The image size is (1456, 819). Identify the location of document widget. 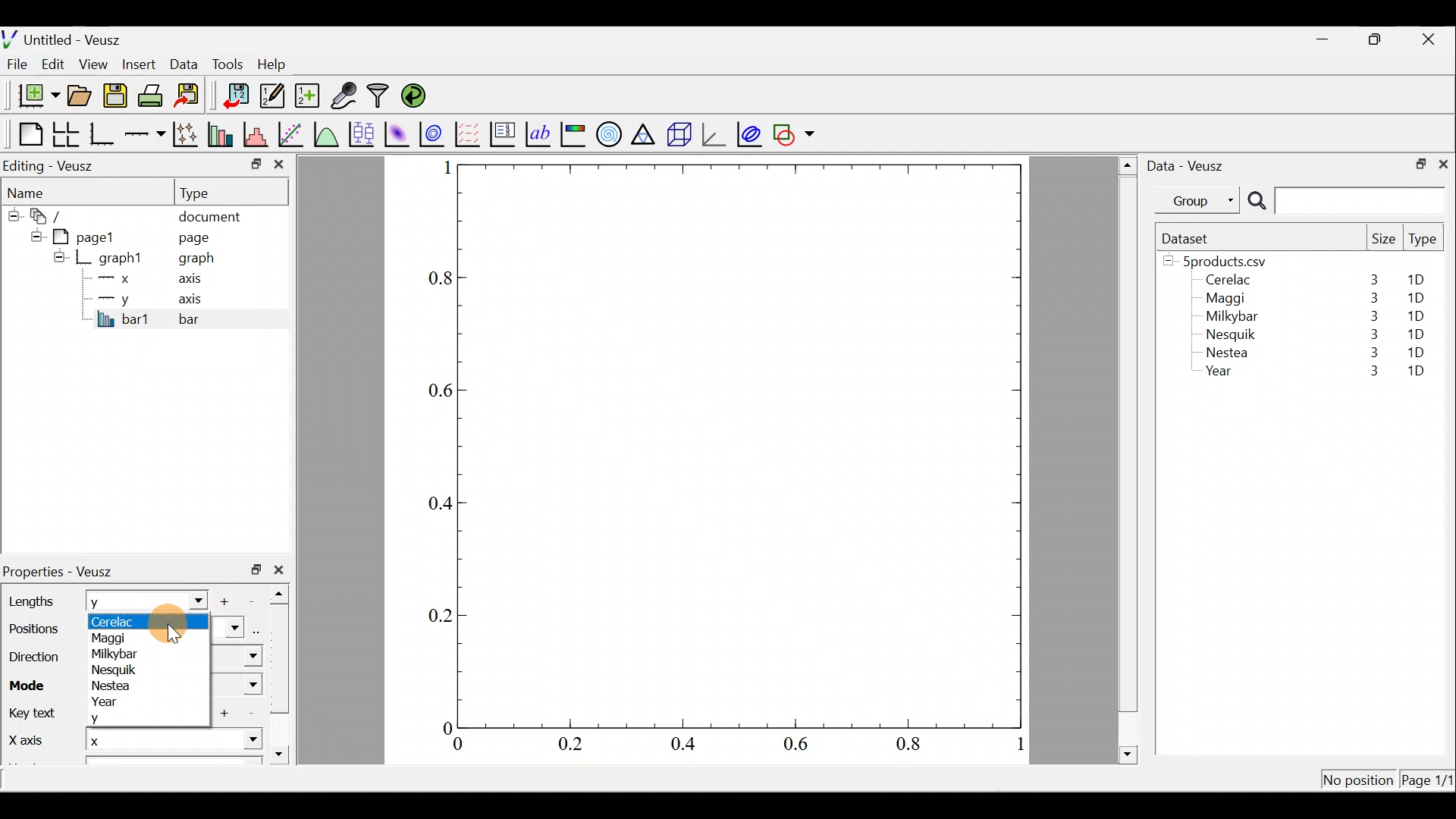
(54, 214).